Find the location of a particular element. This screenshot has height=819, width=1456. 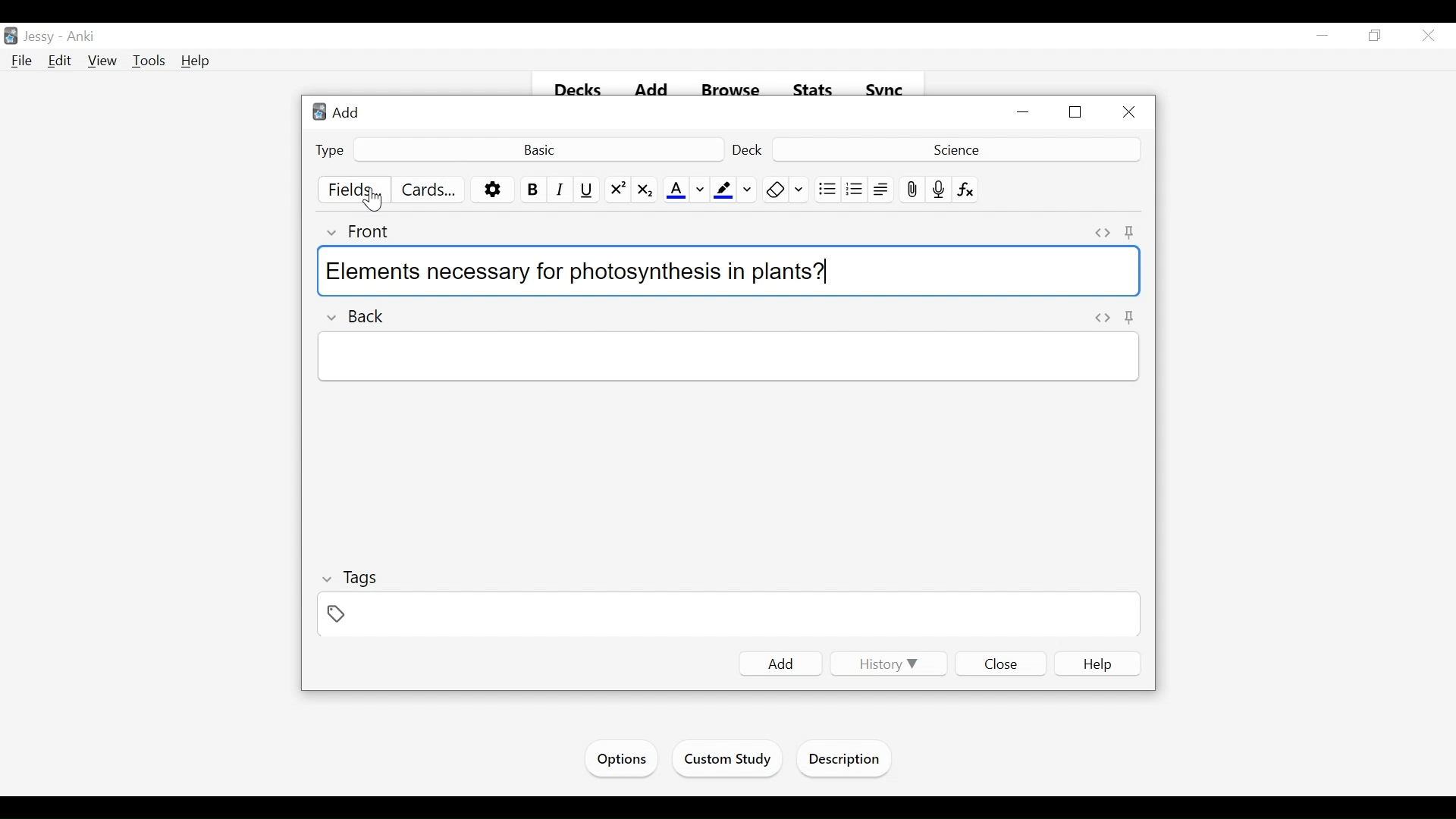

Tags Field is located at coordinates (730, 616).